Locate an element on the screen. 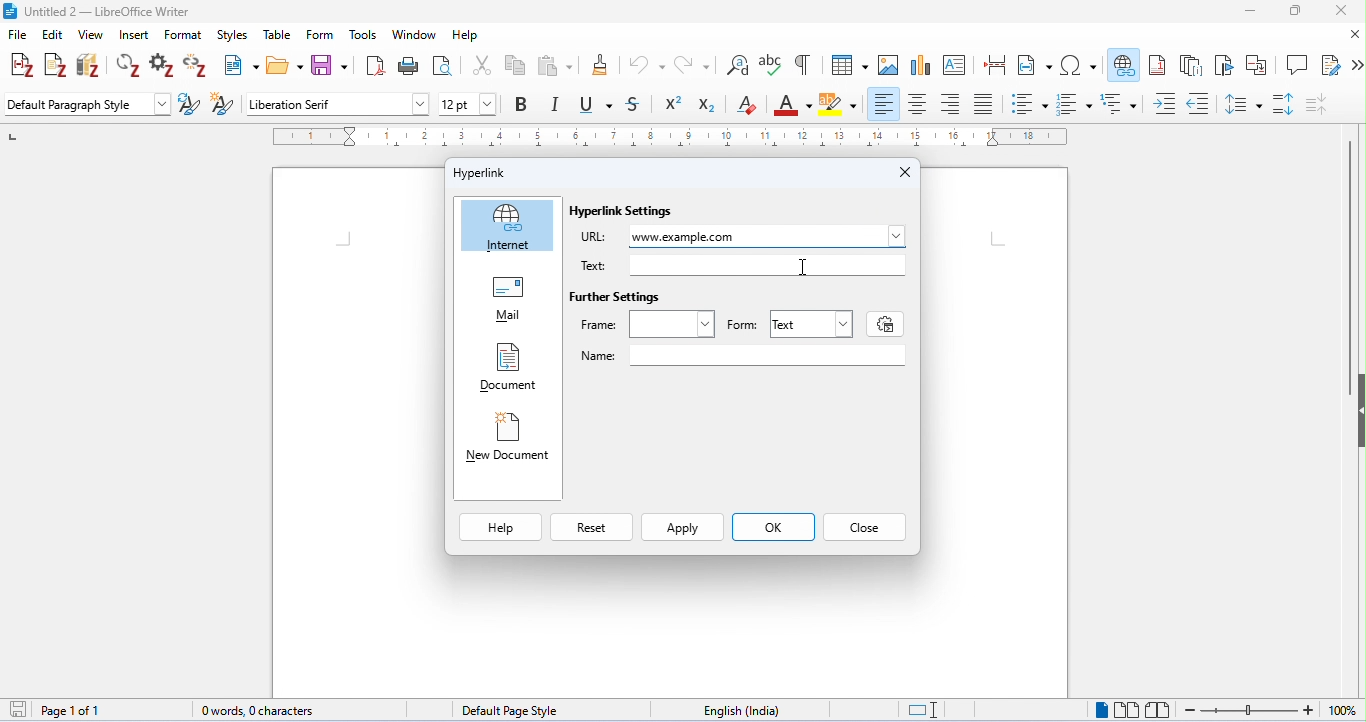 The width and height of the screenshot is (1366, 722). Text is located at coordinates (813, 323).